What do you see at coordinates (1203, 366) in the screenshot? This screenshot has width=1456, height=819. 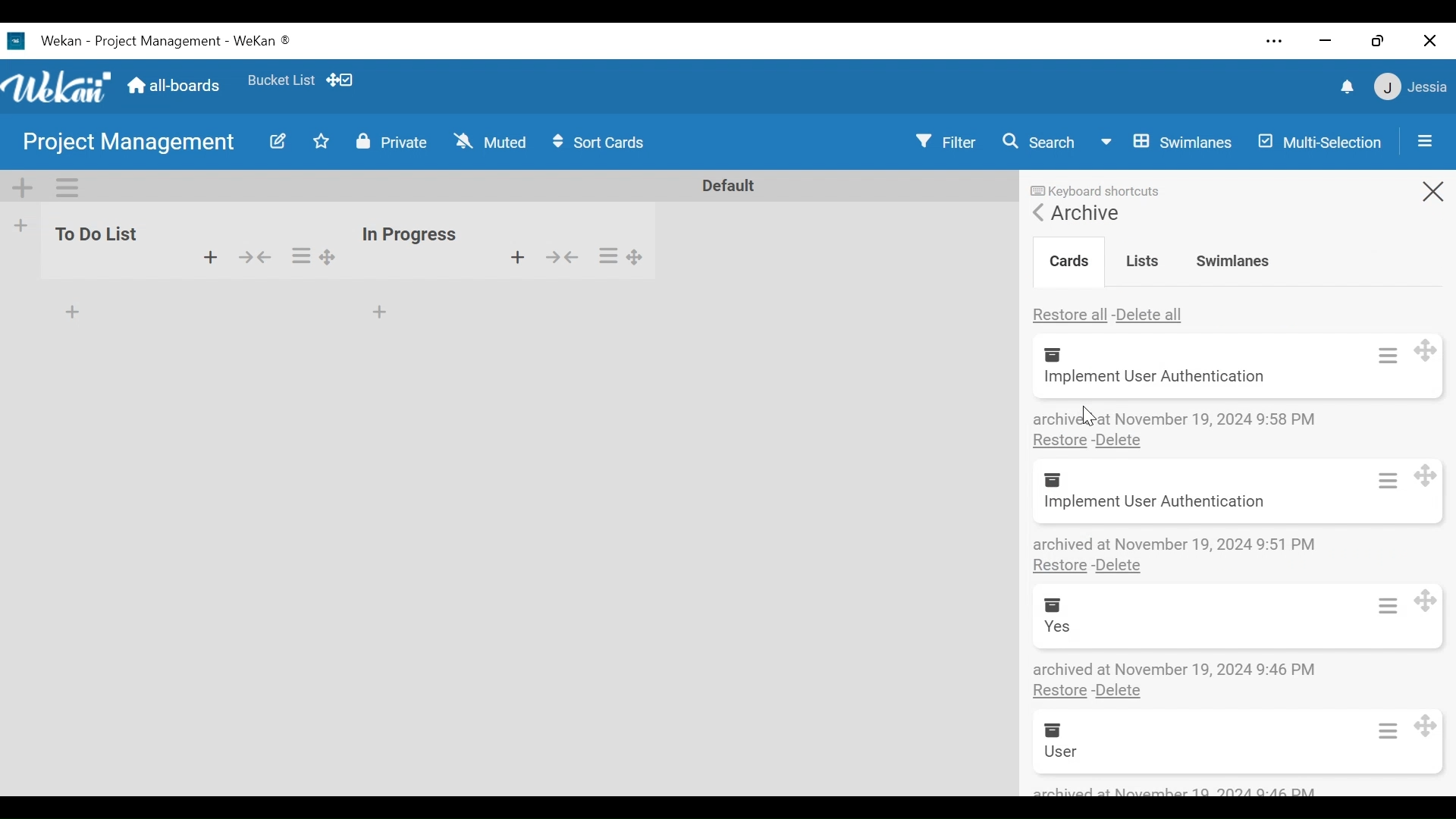 I see `Archive Card` at bounding box center [1203, 366].